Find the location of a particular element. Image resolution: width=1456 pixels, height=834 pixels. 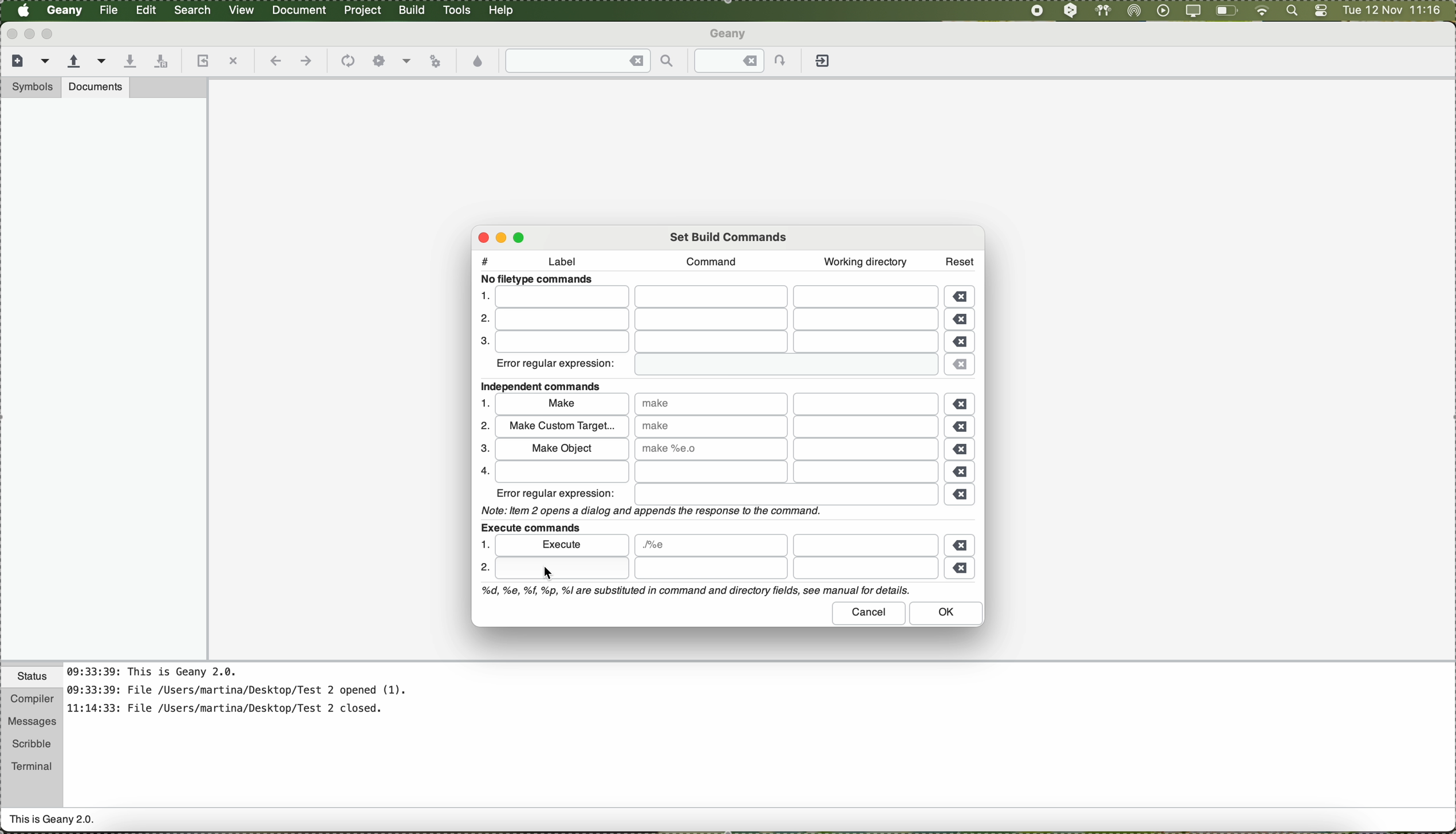

make custom target is located at coordinates (561, 426).